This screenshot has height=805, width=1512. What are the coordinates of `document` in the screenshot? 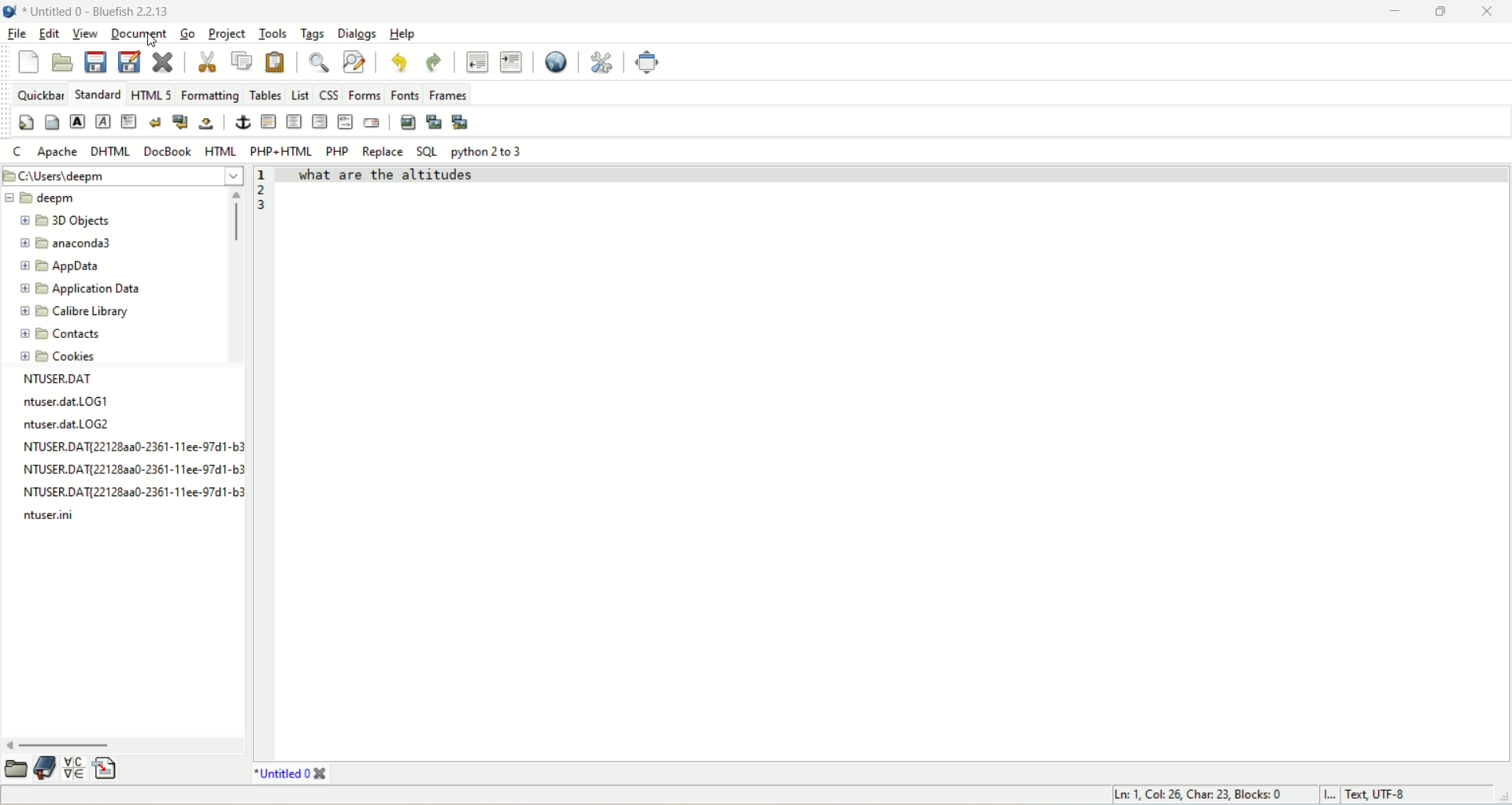 It's located at (137, 33).